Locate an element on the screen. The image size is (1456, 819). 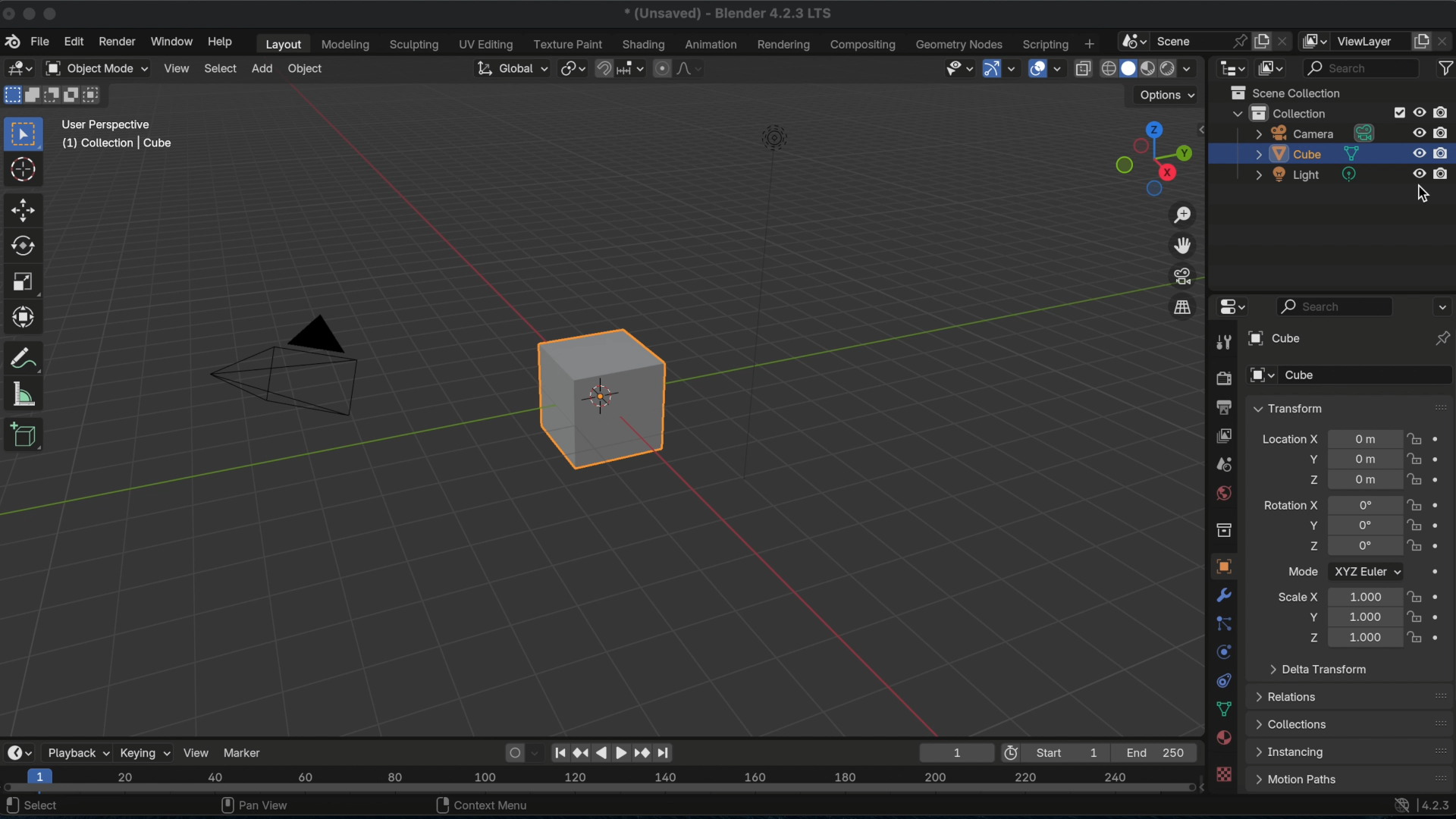
disable in renders is located at coordinates (1445, 111).